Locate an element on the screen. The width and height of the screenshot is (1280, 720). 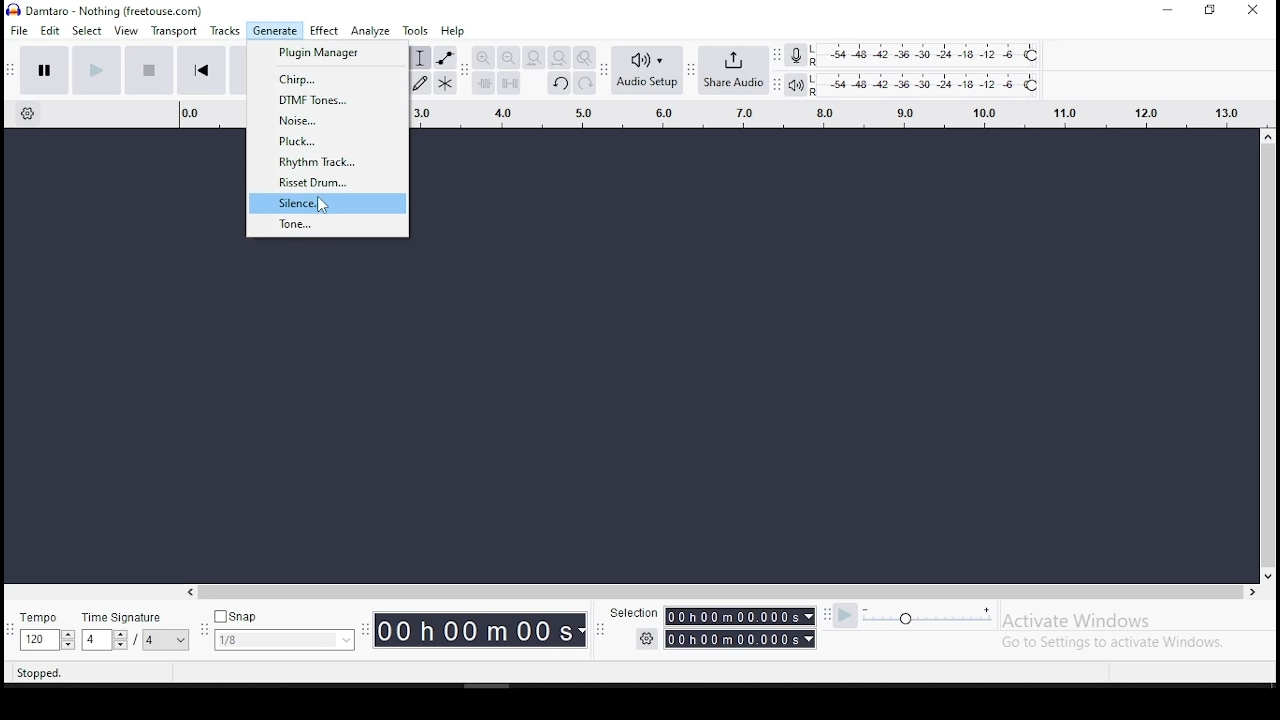
share audio is located at coordinates (734, 71).